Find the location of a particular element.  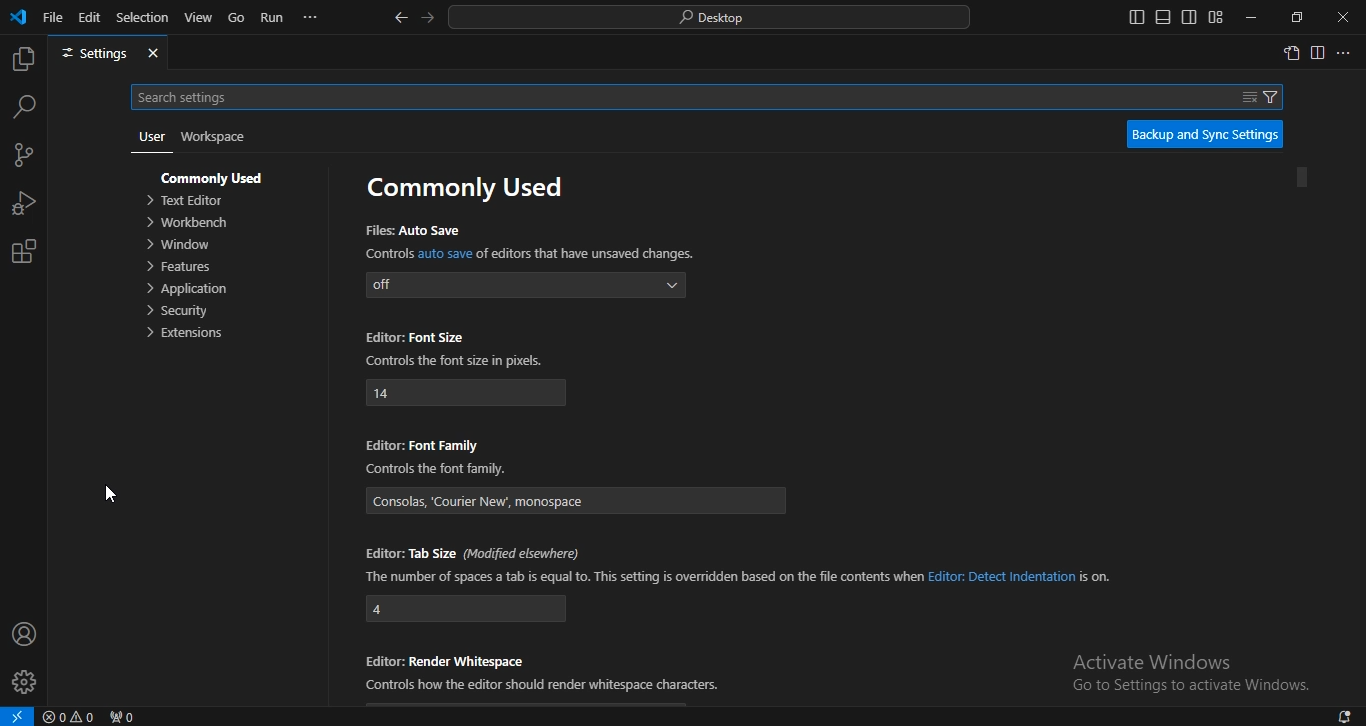

vscode icon is located at coordinates (18, 18).